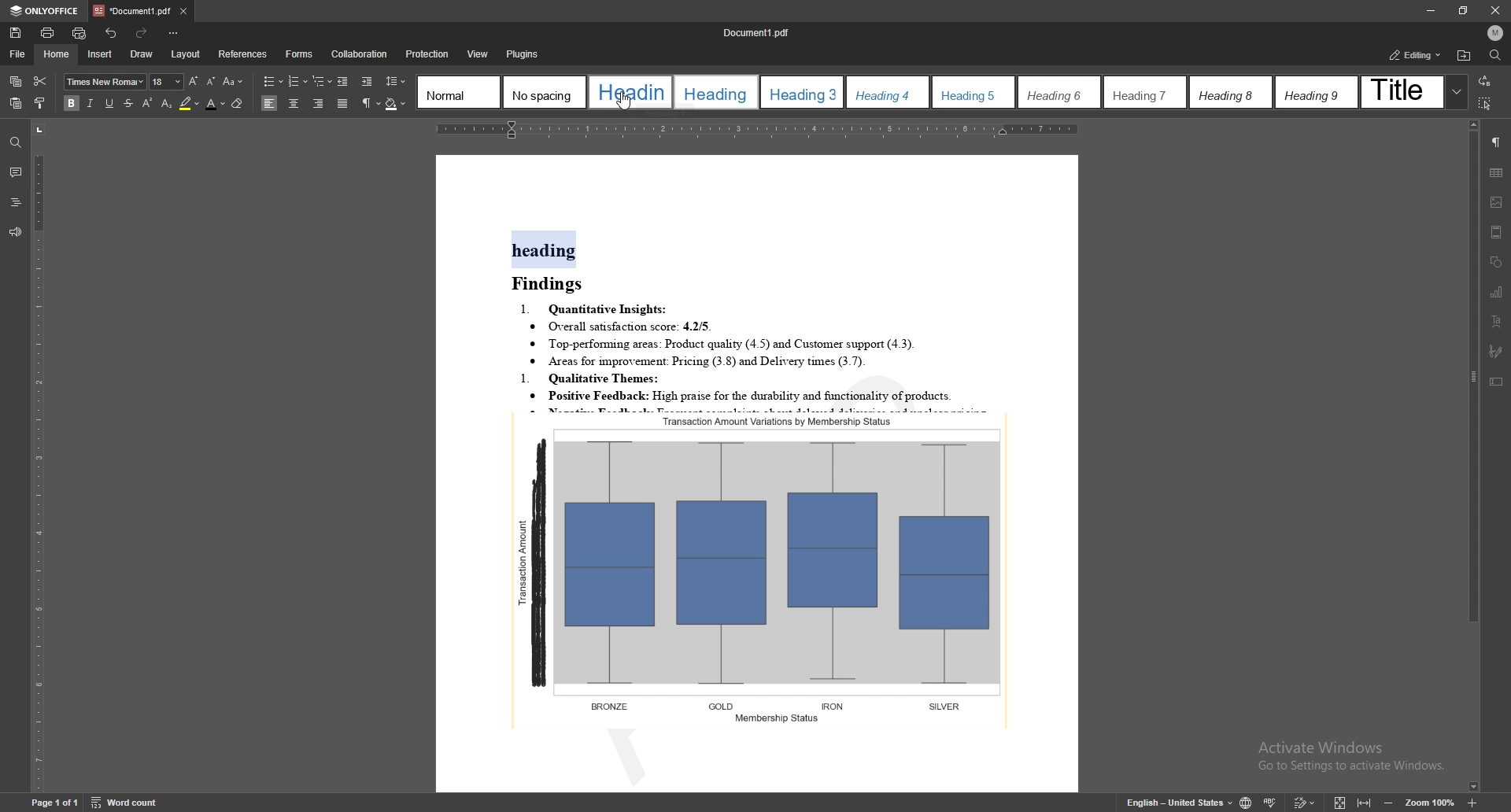 The height and width of the screenshot is (812, 1511). I want to click on feedback, so click(13, 233).